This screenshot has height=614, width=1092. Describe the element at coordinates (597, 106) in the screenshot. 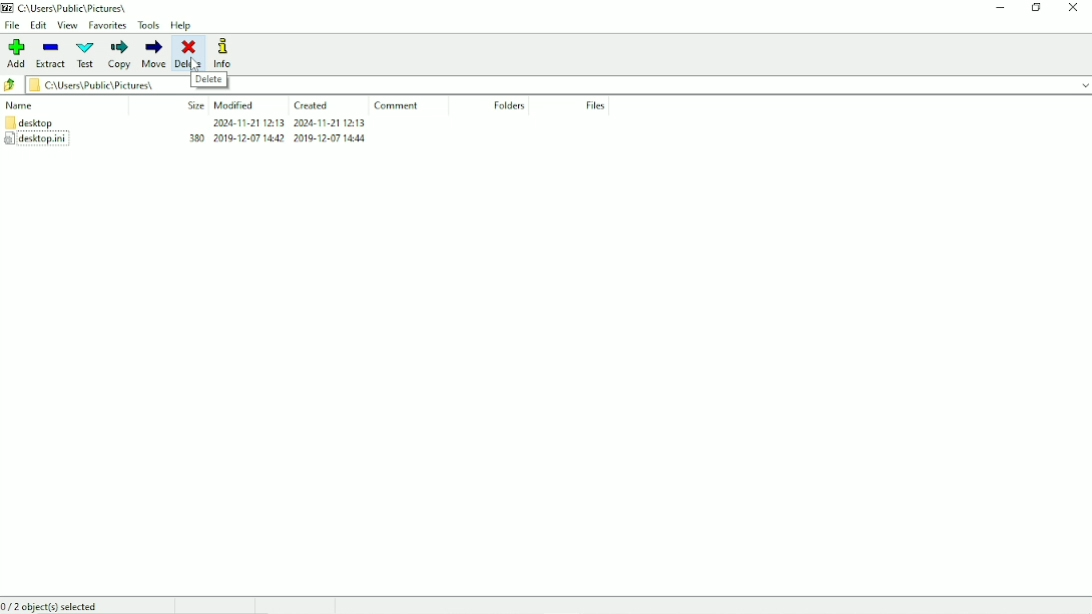

I see `Files` at that location.